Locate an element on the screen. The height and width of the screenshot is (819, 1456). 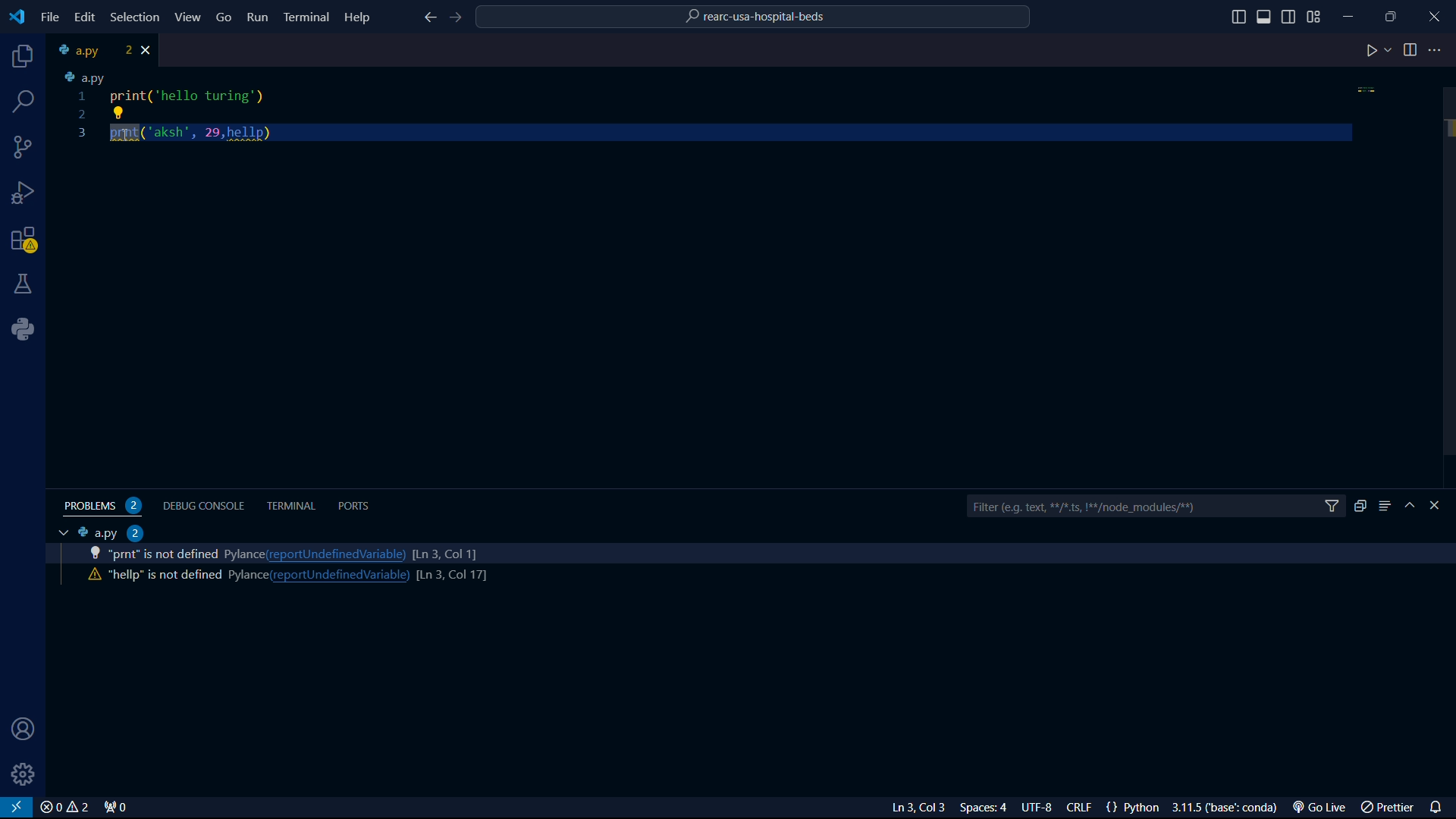
edit is located at coordinates (83, 17).